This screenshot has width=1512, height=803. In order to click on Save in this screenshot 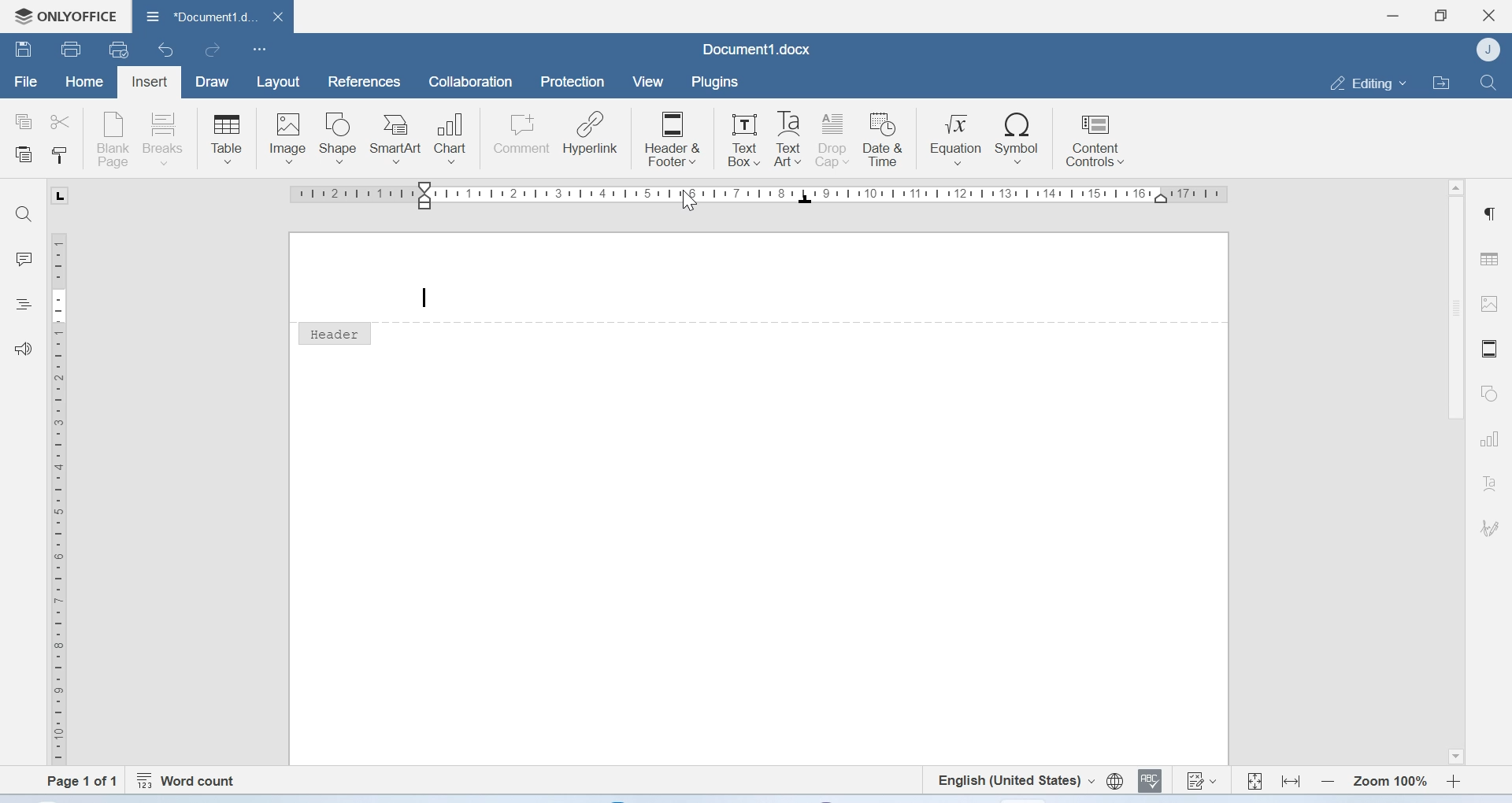, I will do `click(24, 51)`.